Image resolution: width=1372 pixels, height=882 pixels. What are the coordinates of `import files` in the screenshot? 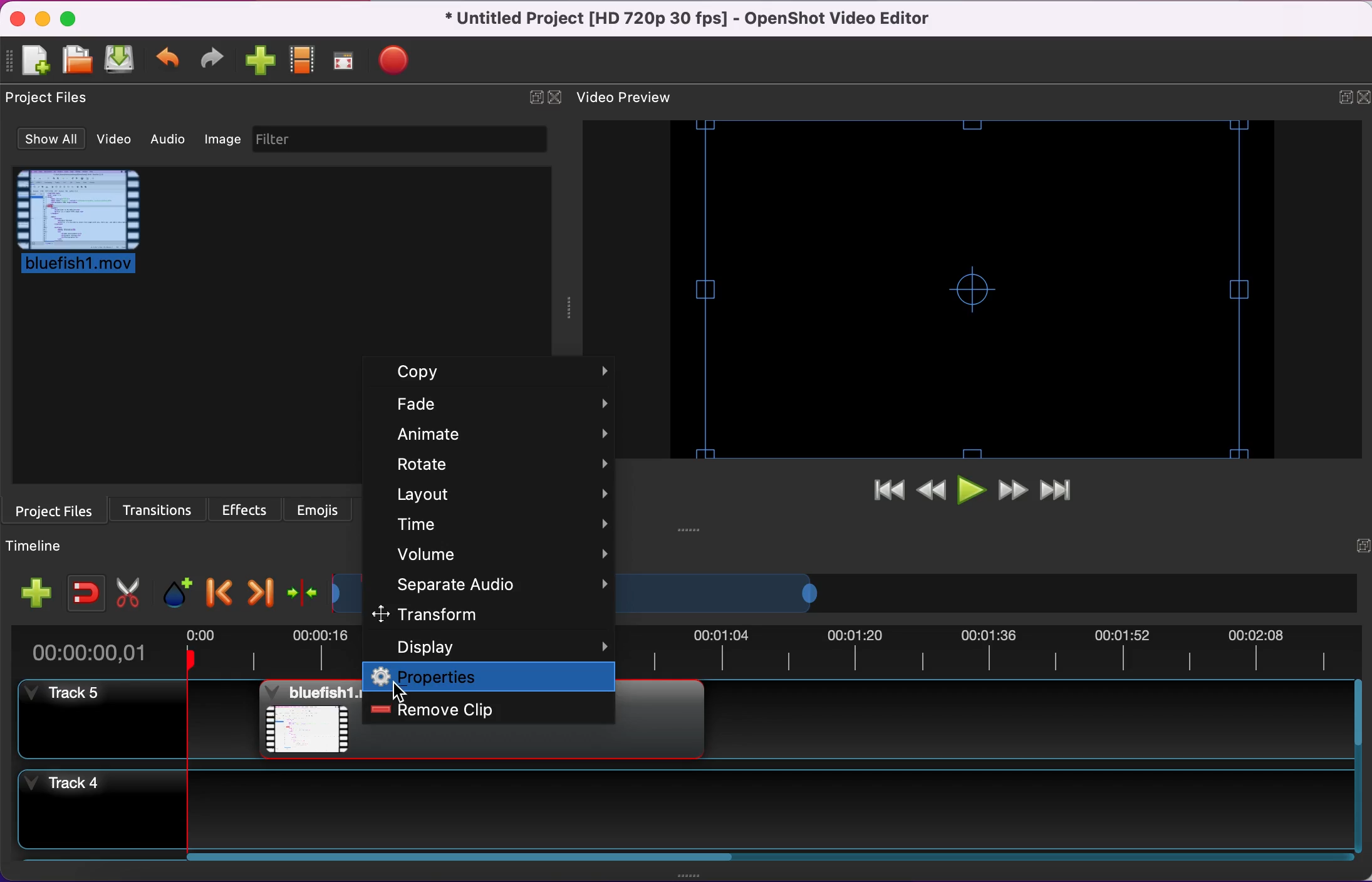 It's located at (259, 60).